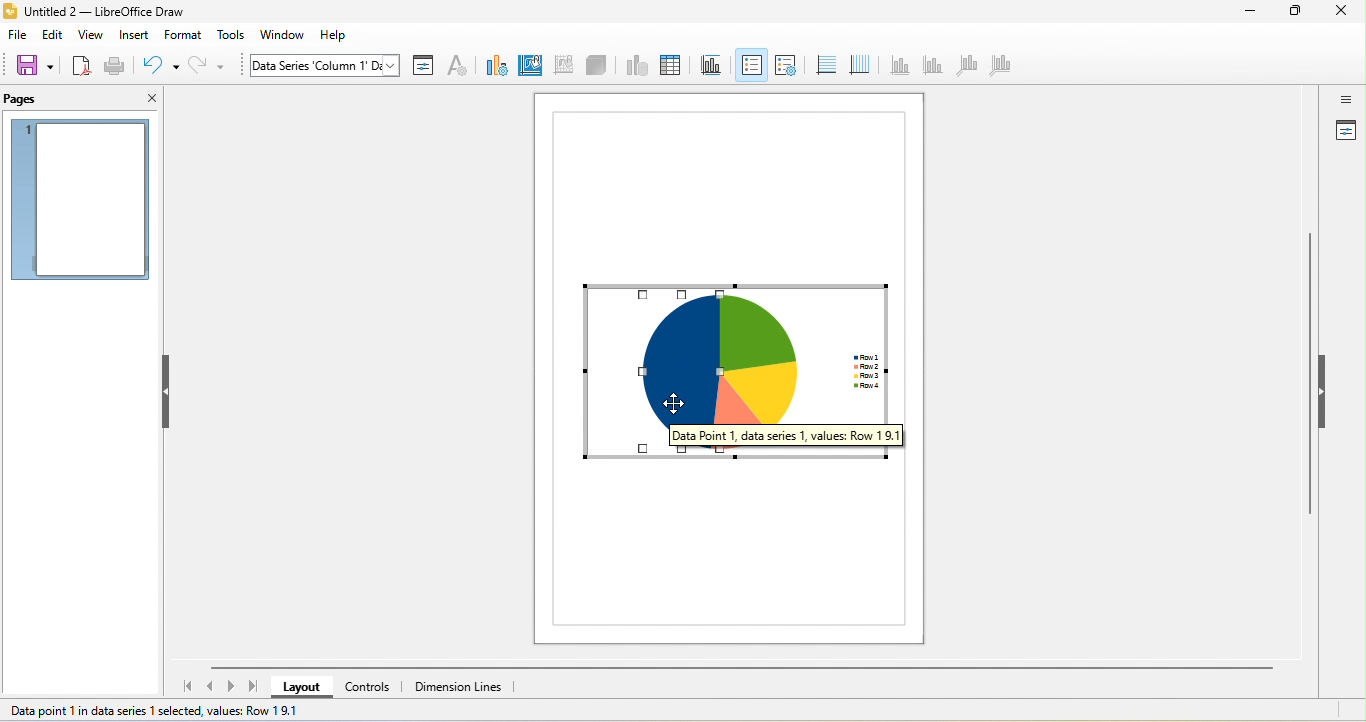 The width and height of the screenshot is (1366, 722). I want to click on cursor movement, so click(675, 405).